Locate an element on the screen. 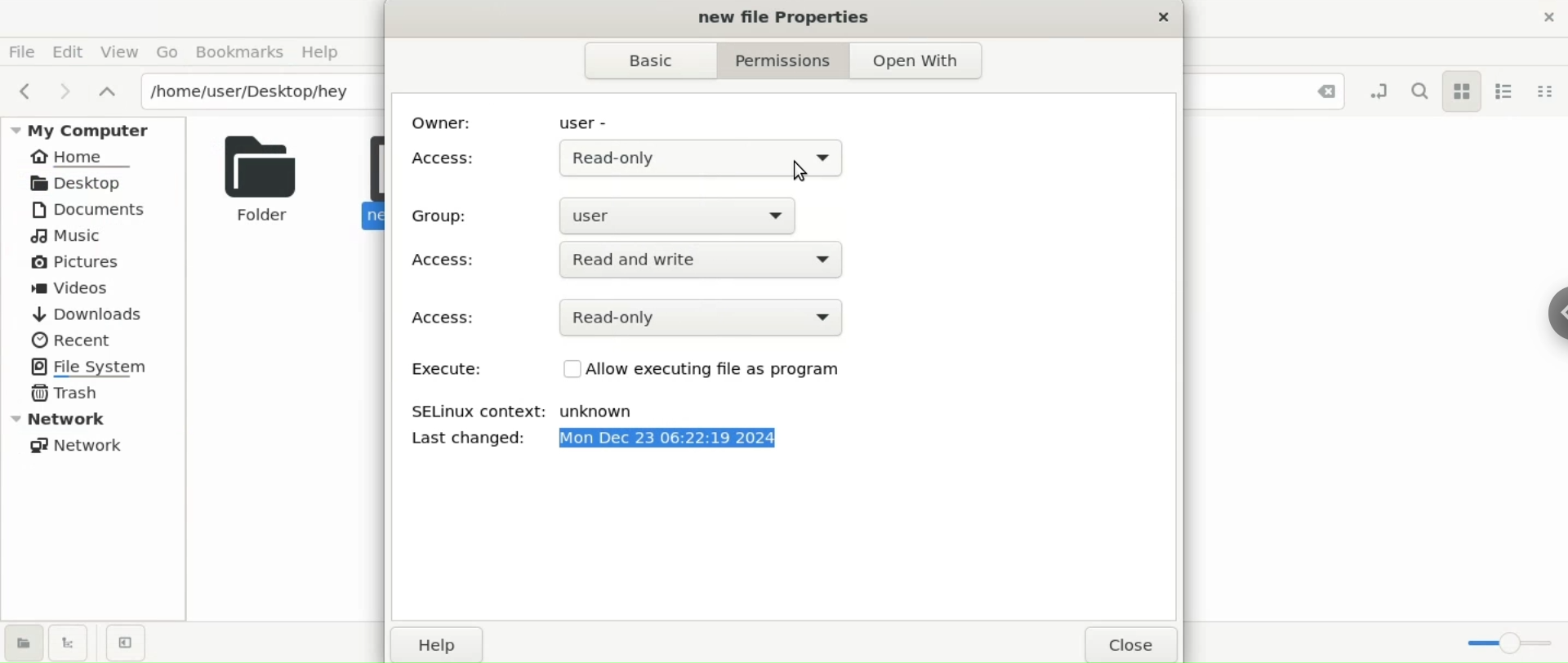  Downloads is located at coordinates (87, 314).